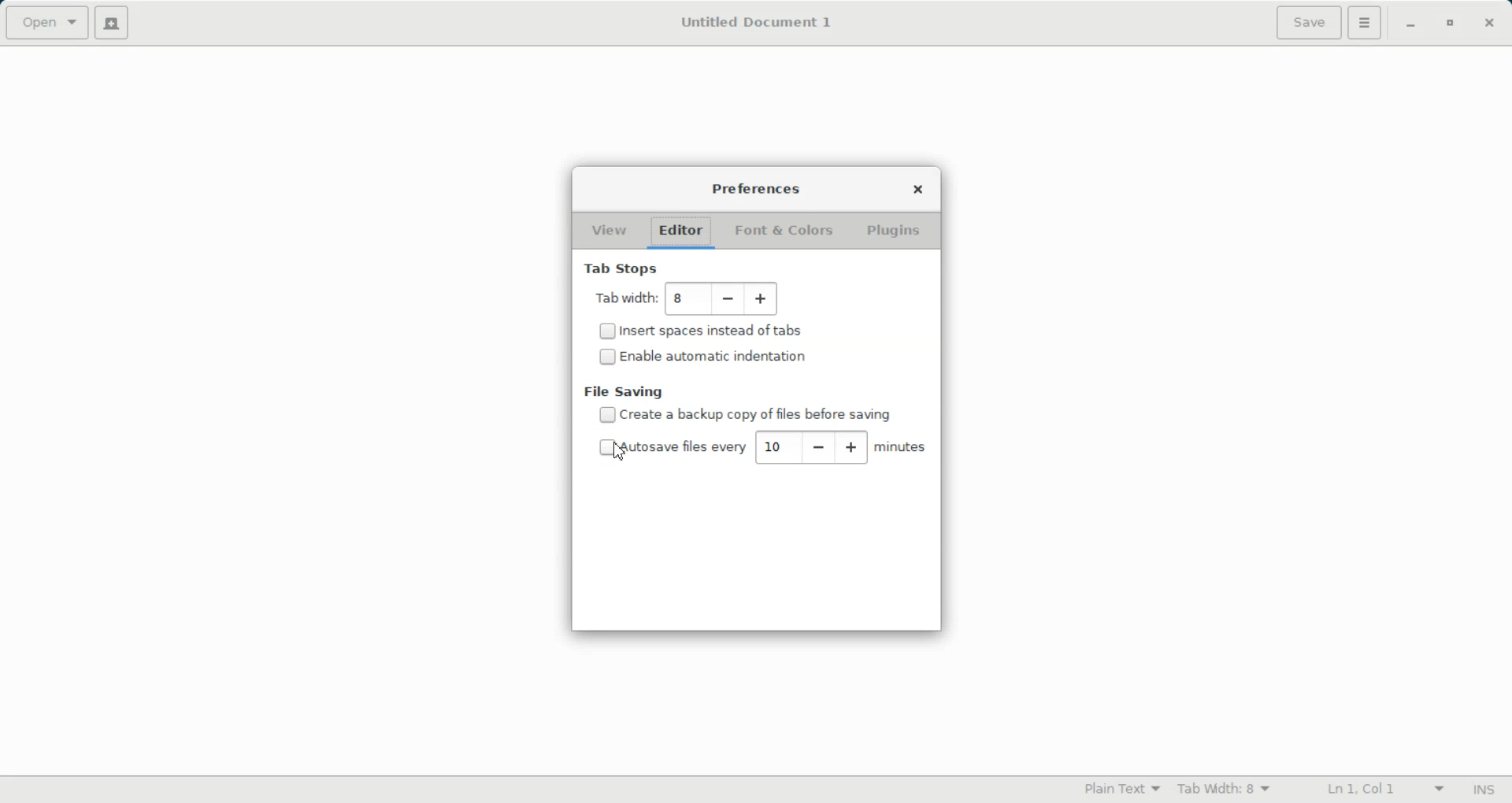 Image resolution: width=1512 pixels, height=803 pixels. What do you see at coordinates (1449, 24) in the screenshot?
I see `Maximize` at bounding box center [1449, 24].